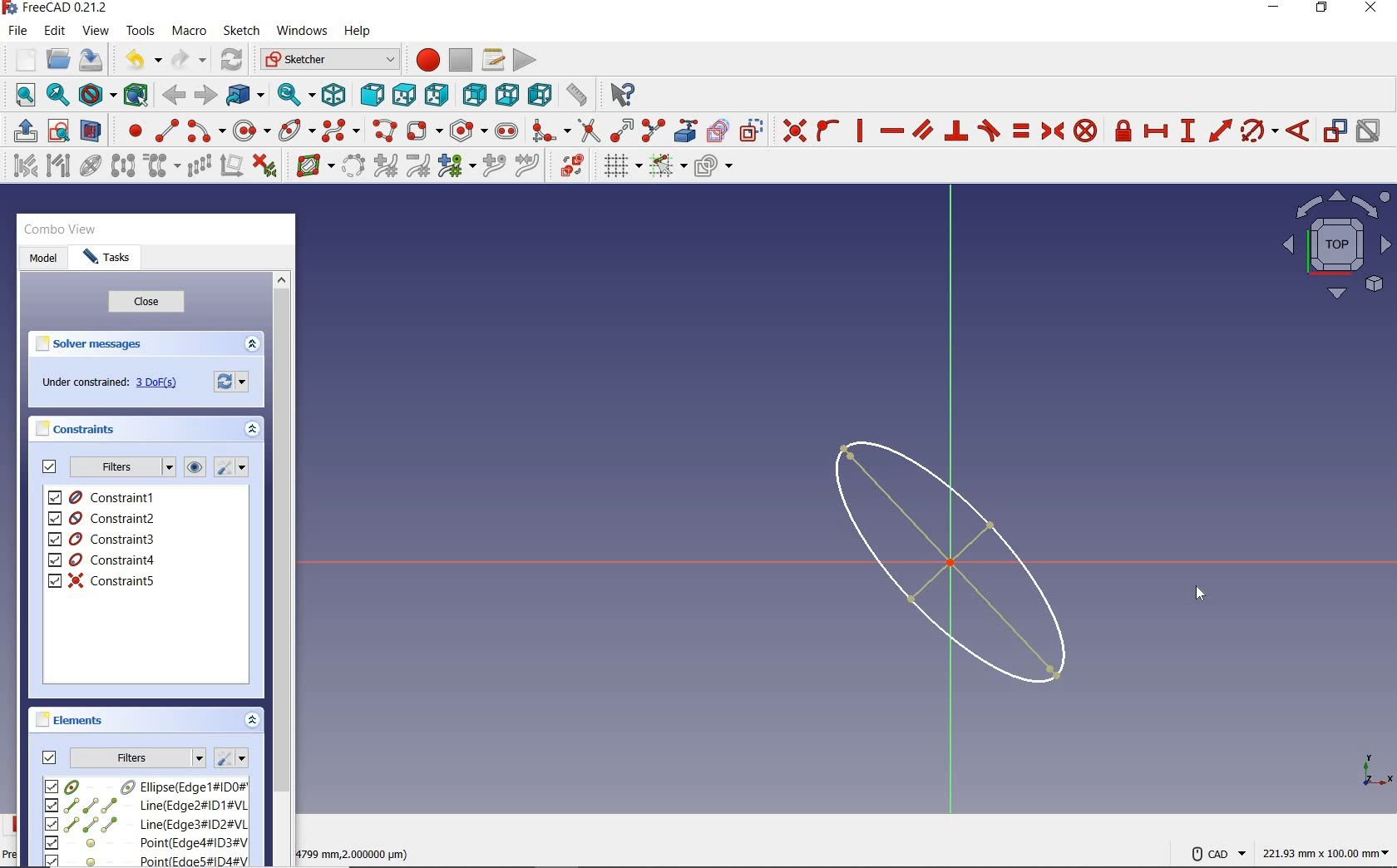 The height and width of the screenshot is (868, 1397). I want to click on constrain ar/circle, so click(1260, 130).